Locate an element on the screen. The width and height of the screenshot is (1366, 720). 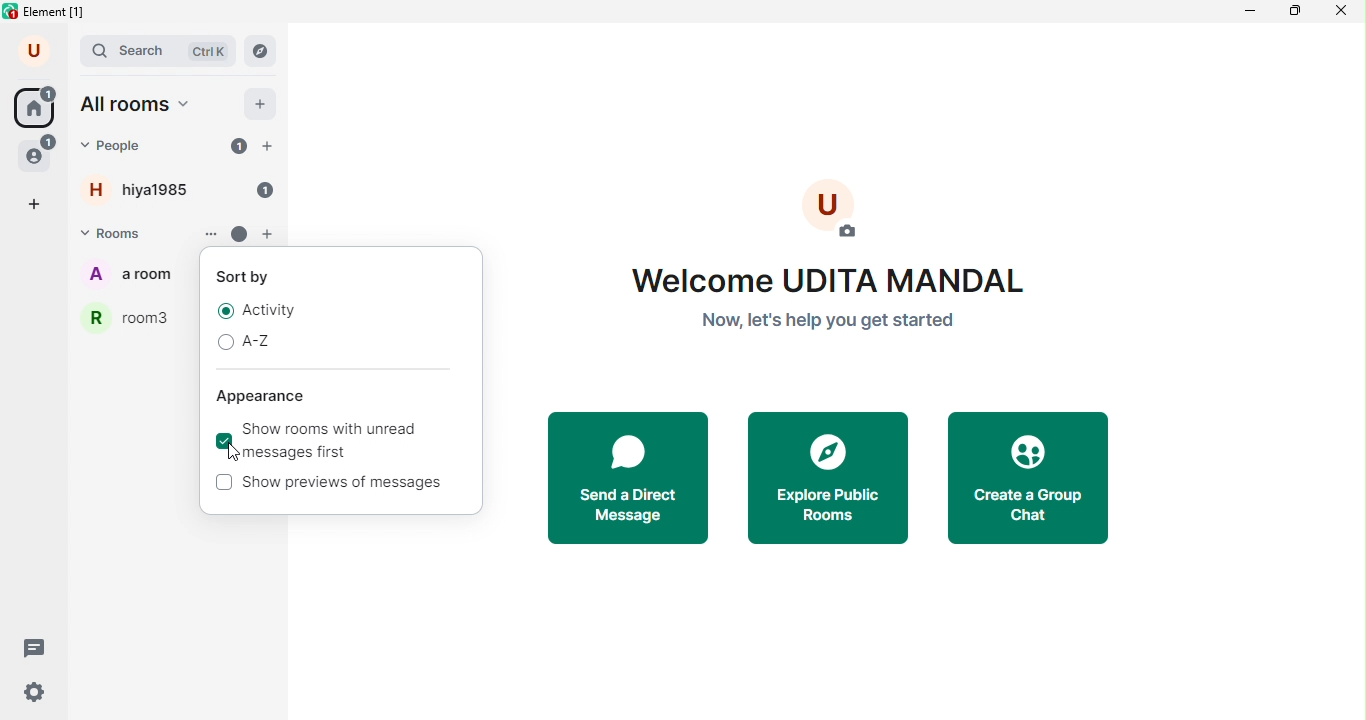
A-Z is located at coordinates (254, 343).